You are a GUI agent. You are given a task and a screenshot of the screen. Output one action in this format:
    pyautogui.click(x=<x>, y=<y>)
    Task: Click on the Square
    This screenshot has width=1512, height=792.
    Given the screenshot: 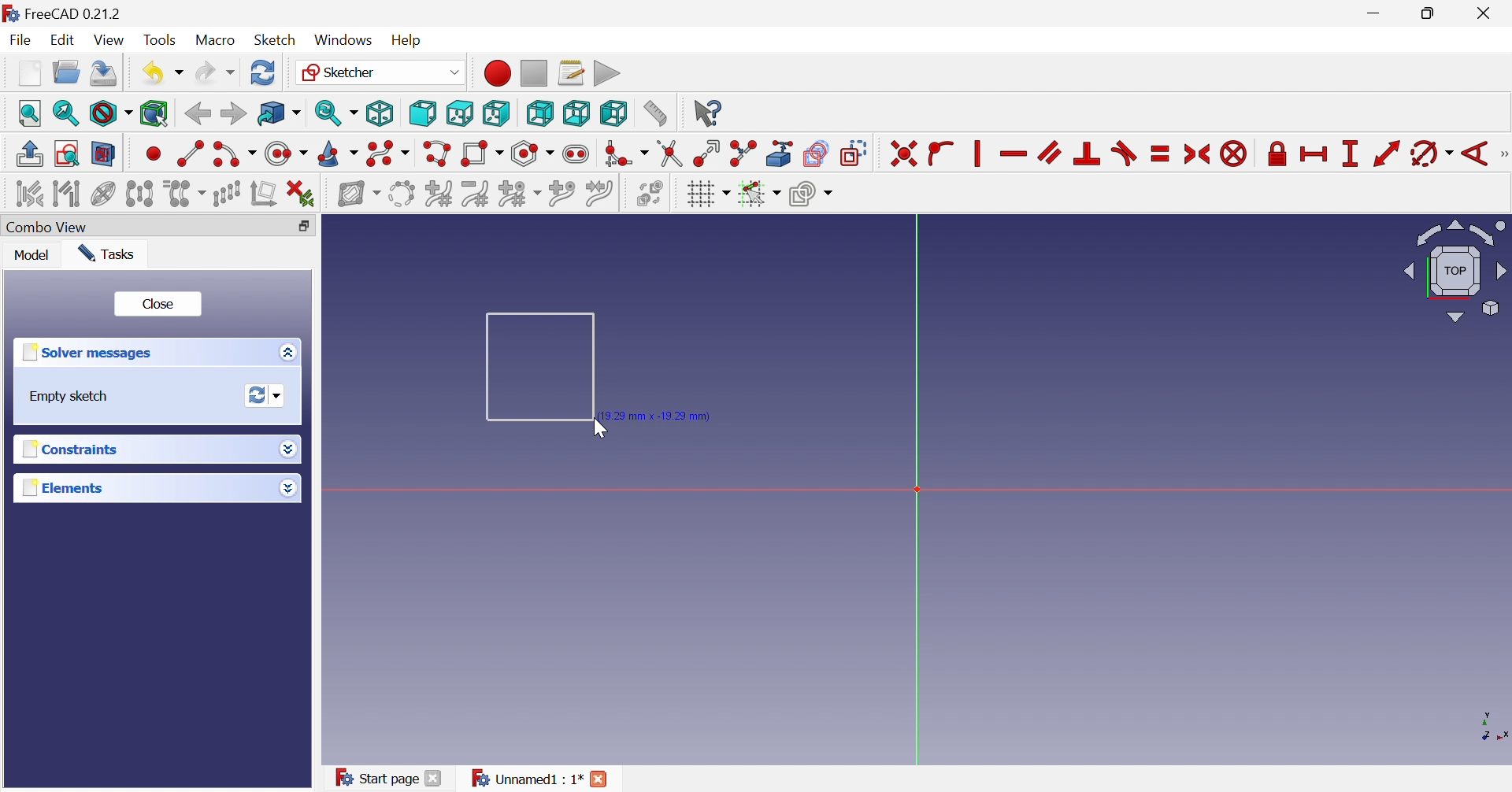 What is the action you would take?
    pyautogui.click(x=539, y=366)
    